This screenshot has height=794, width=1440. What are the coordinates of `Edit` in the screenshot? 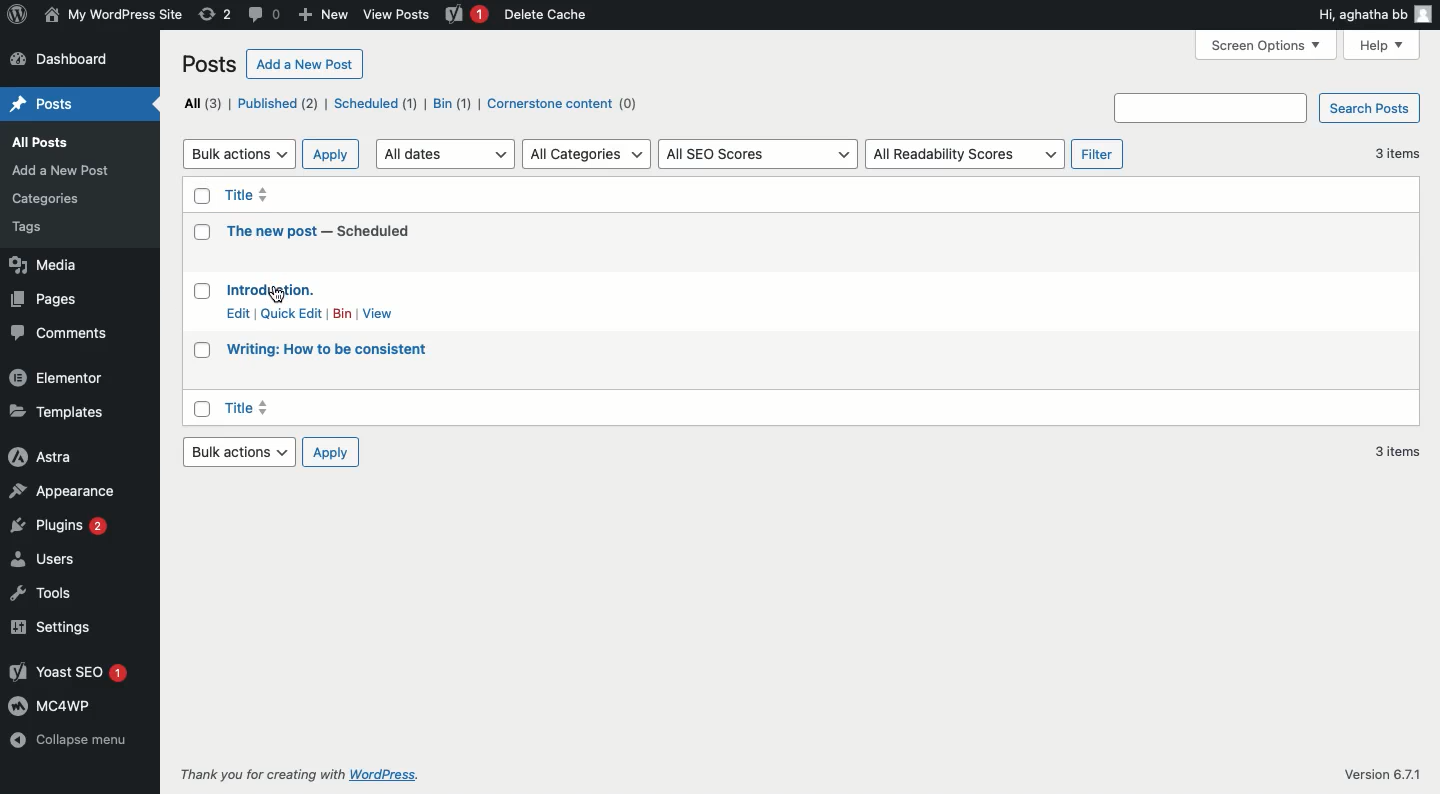 It's located at (239, 313).